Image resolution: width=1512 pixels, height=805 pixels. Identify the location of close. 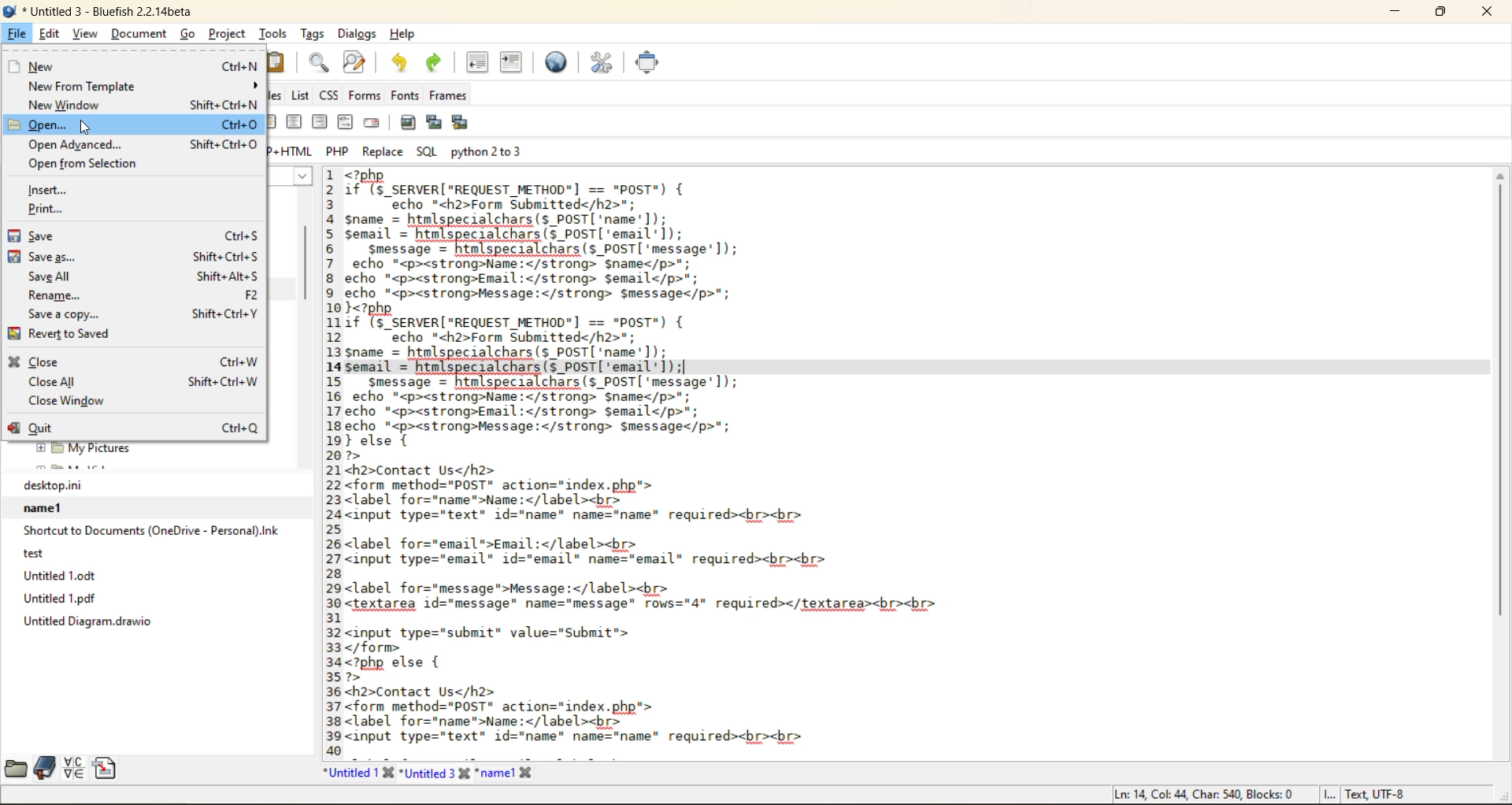
(131, 359).